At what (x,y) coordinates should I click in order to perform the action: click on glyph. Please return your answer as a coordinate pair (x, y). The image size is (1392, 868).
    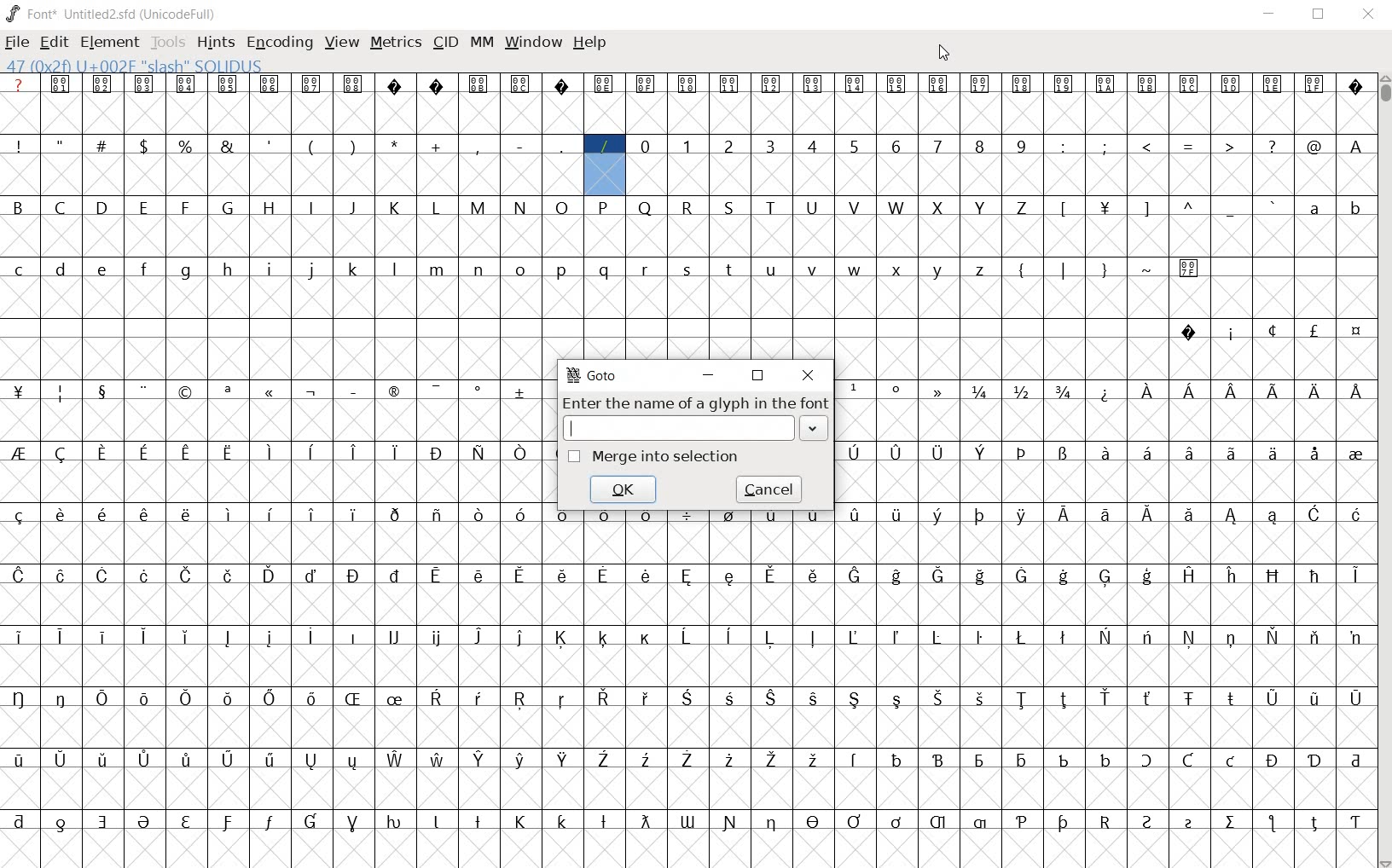
    Looking at the image, I should click on (769, 638).